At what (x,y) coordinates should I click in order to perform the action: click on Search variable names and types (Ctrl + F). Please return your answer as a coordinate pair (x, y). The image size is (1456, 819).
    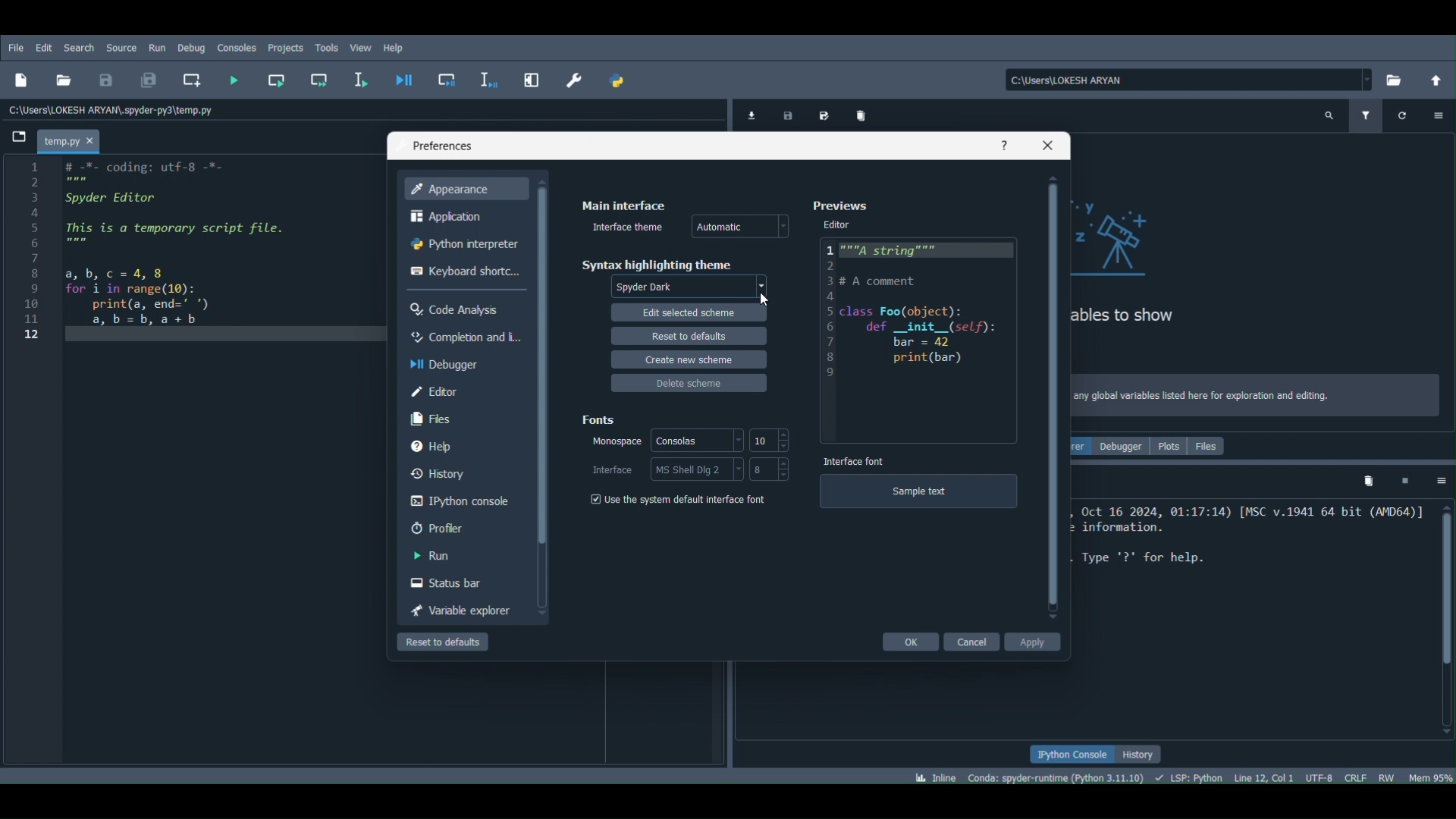
    Looking at the image, I should click on (1329, 115).